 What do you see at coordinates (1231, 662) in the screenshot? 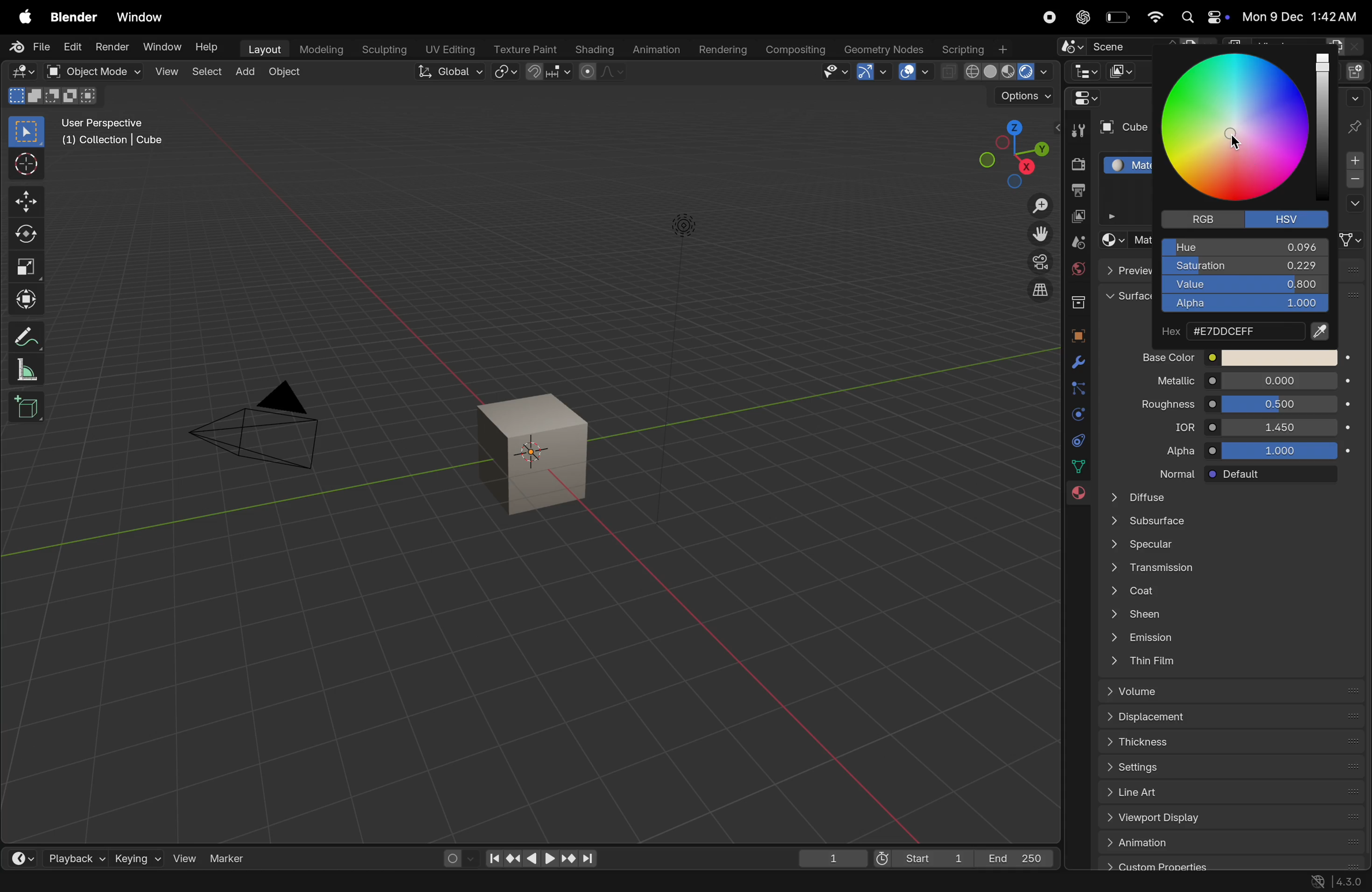
I see `this fan` at bounding box center [1231, 662].